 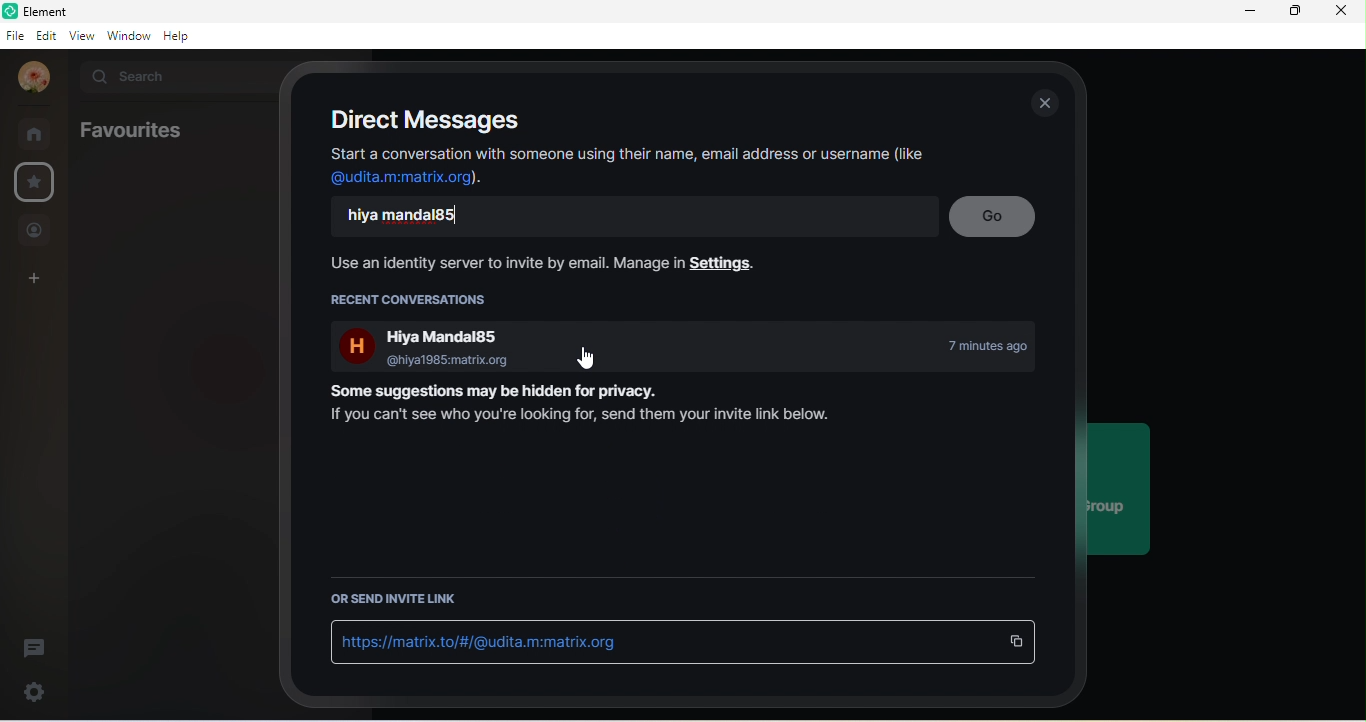 What do you see at coordinates (1344, 11) in the screenshot?
I see `close` at bounding box center [1344, 11].